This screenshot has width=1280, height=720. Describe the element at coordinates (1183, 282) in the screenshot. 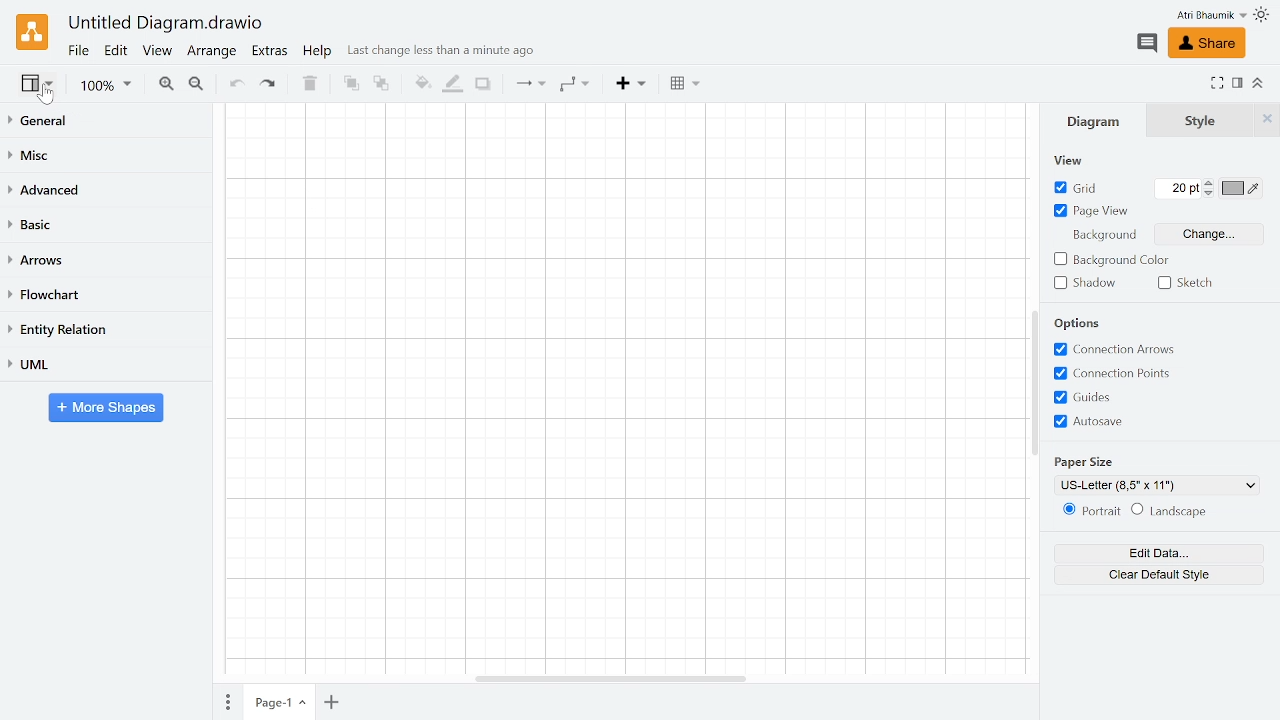

I see `Sketch` at that location.